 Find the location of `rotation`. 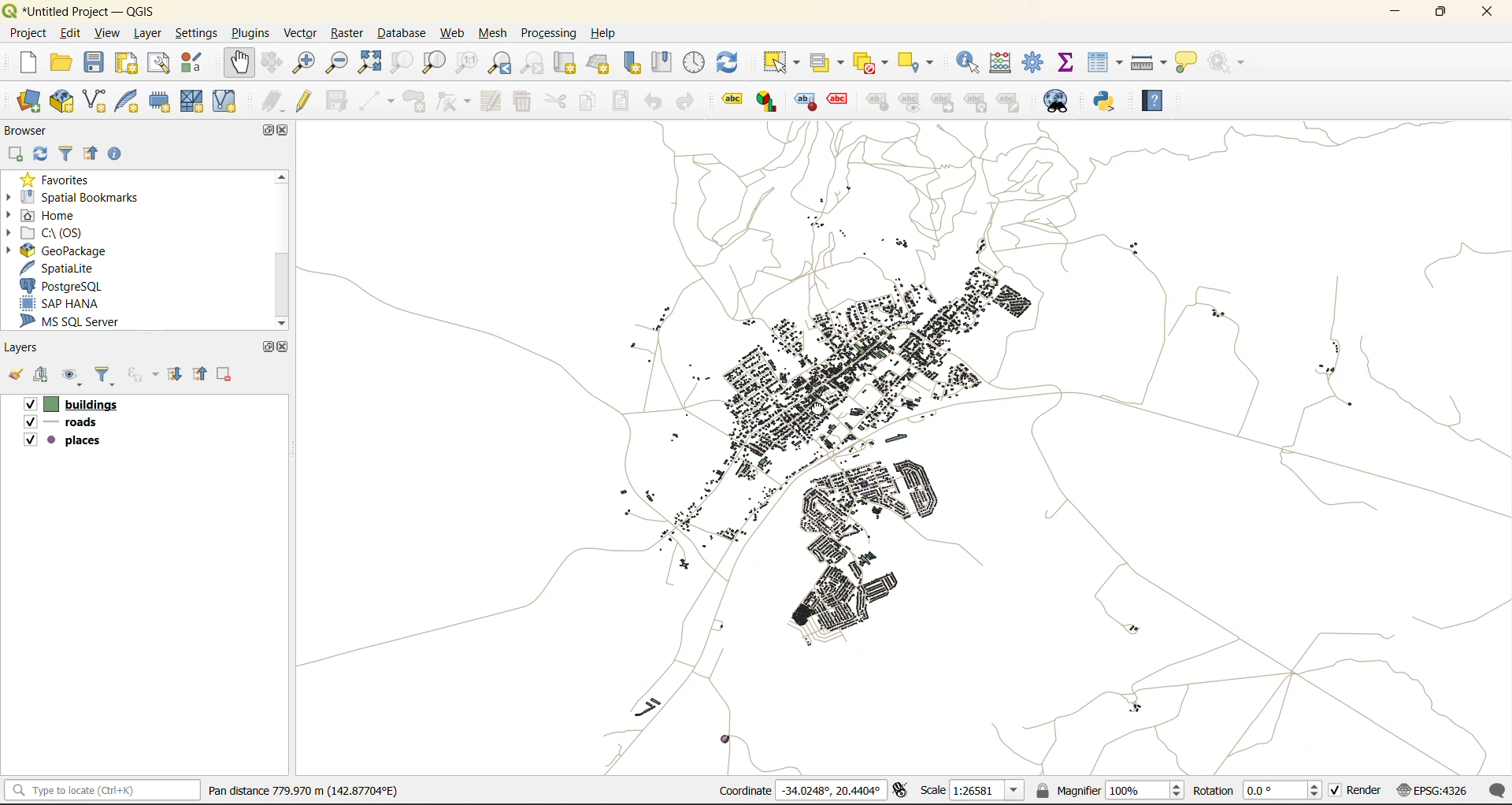

rotation is located at coordinates (1255, 791).